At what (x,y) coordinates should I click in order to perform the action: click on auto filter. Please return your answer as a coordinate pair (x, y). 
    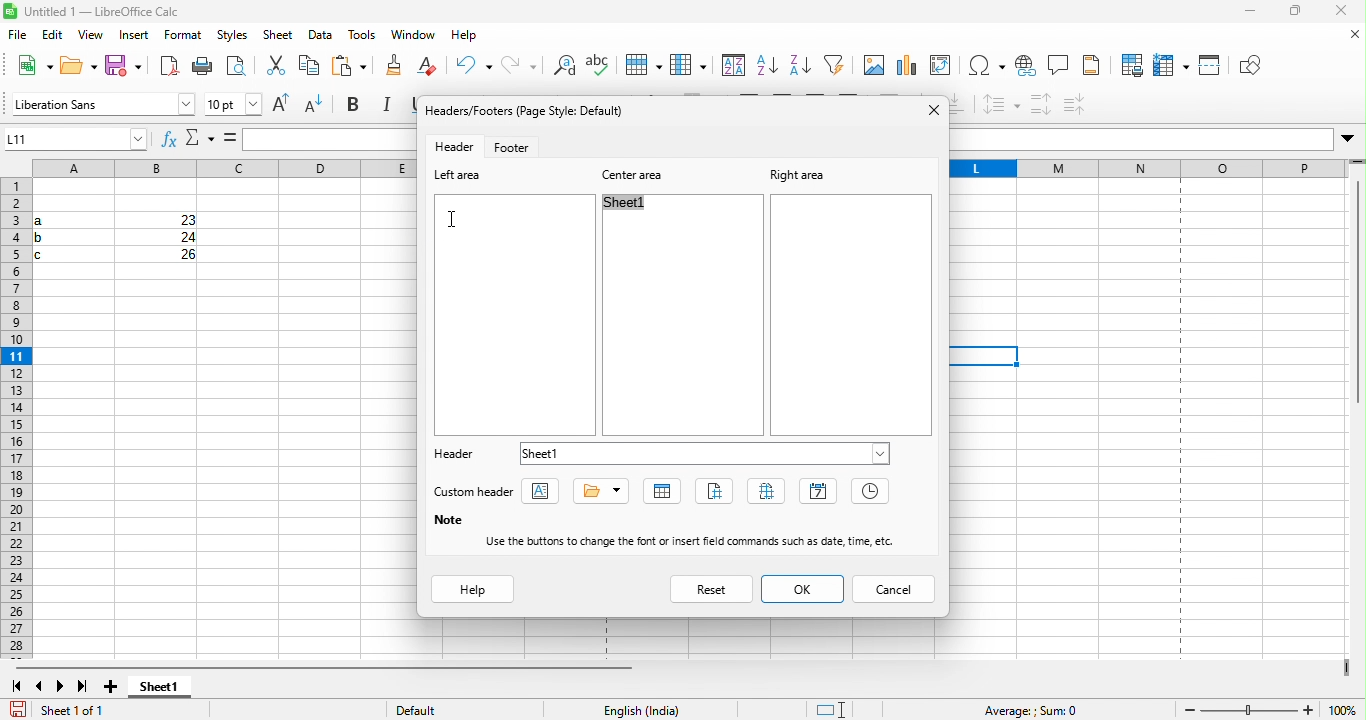
    Looking at the image, I should click on (803, 67).